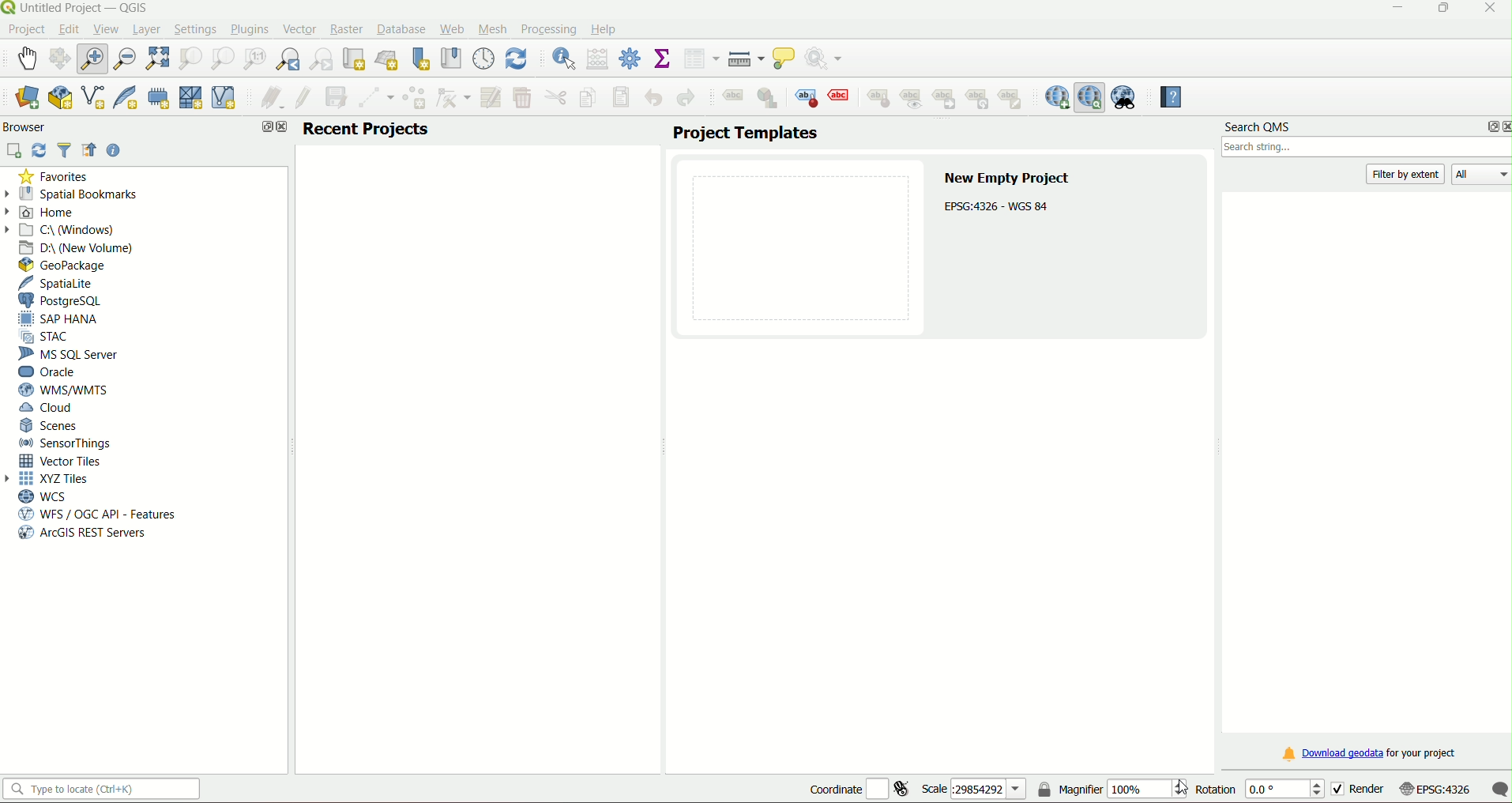  What do you see at coordinates (105, 790) in the screenshot?
I see `search bar` at bounding box center [105, 790].